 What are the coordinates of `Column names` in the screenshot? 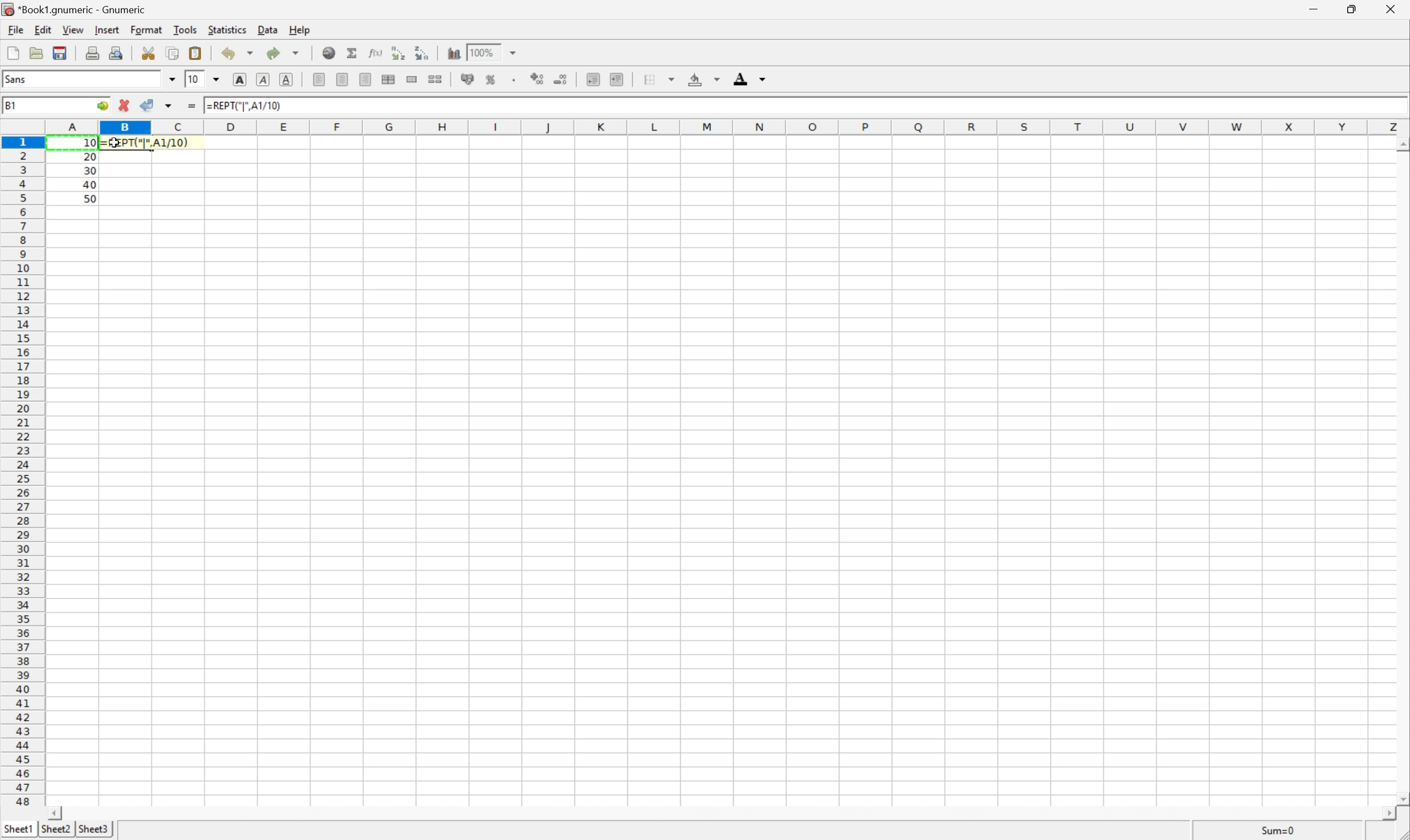 It's located at (727, 128).